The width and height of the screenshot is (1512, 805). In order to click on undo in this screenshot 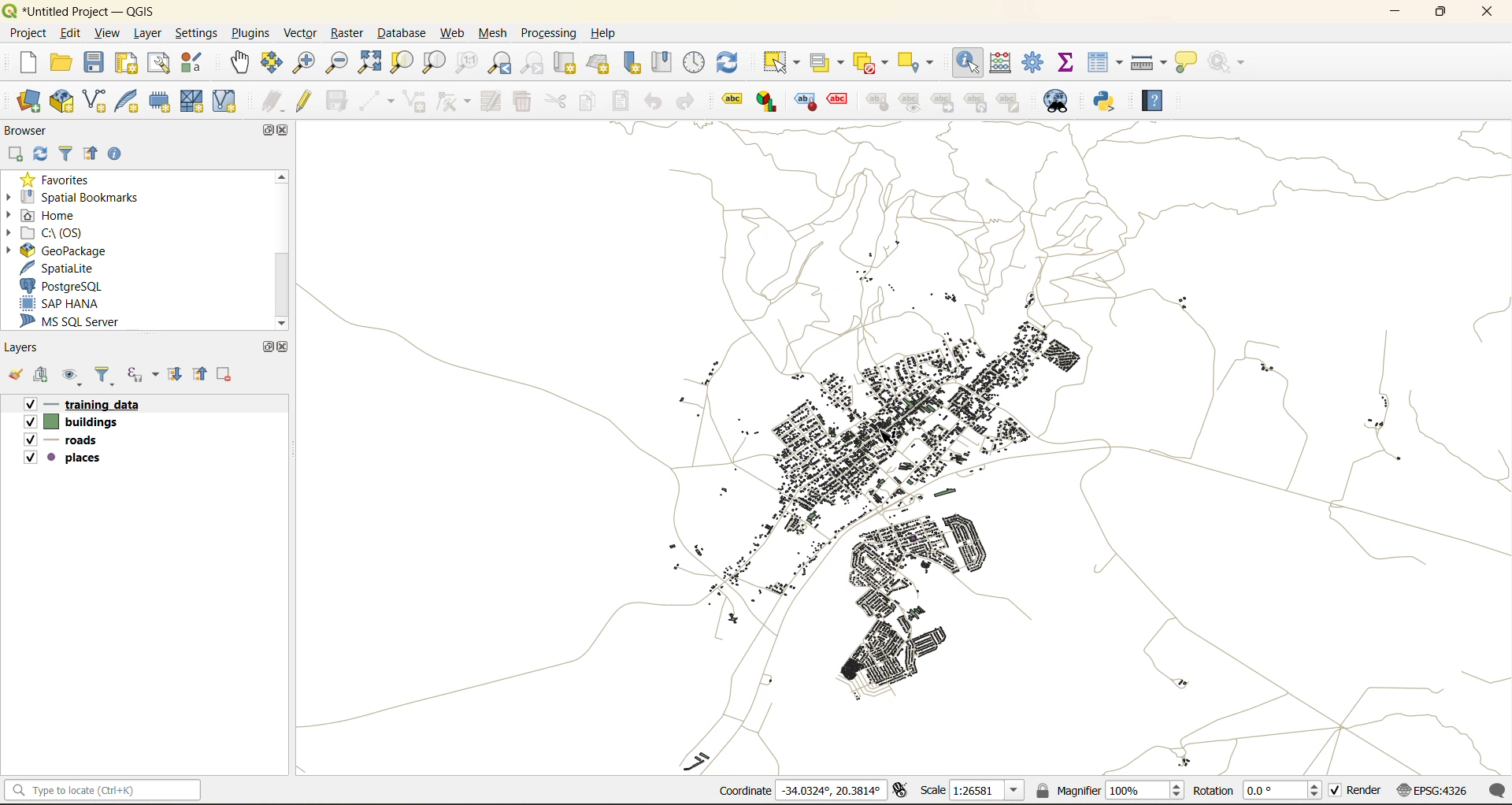, I will do `click(654, 102)`.